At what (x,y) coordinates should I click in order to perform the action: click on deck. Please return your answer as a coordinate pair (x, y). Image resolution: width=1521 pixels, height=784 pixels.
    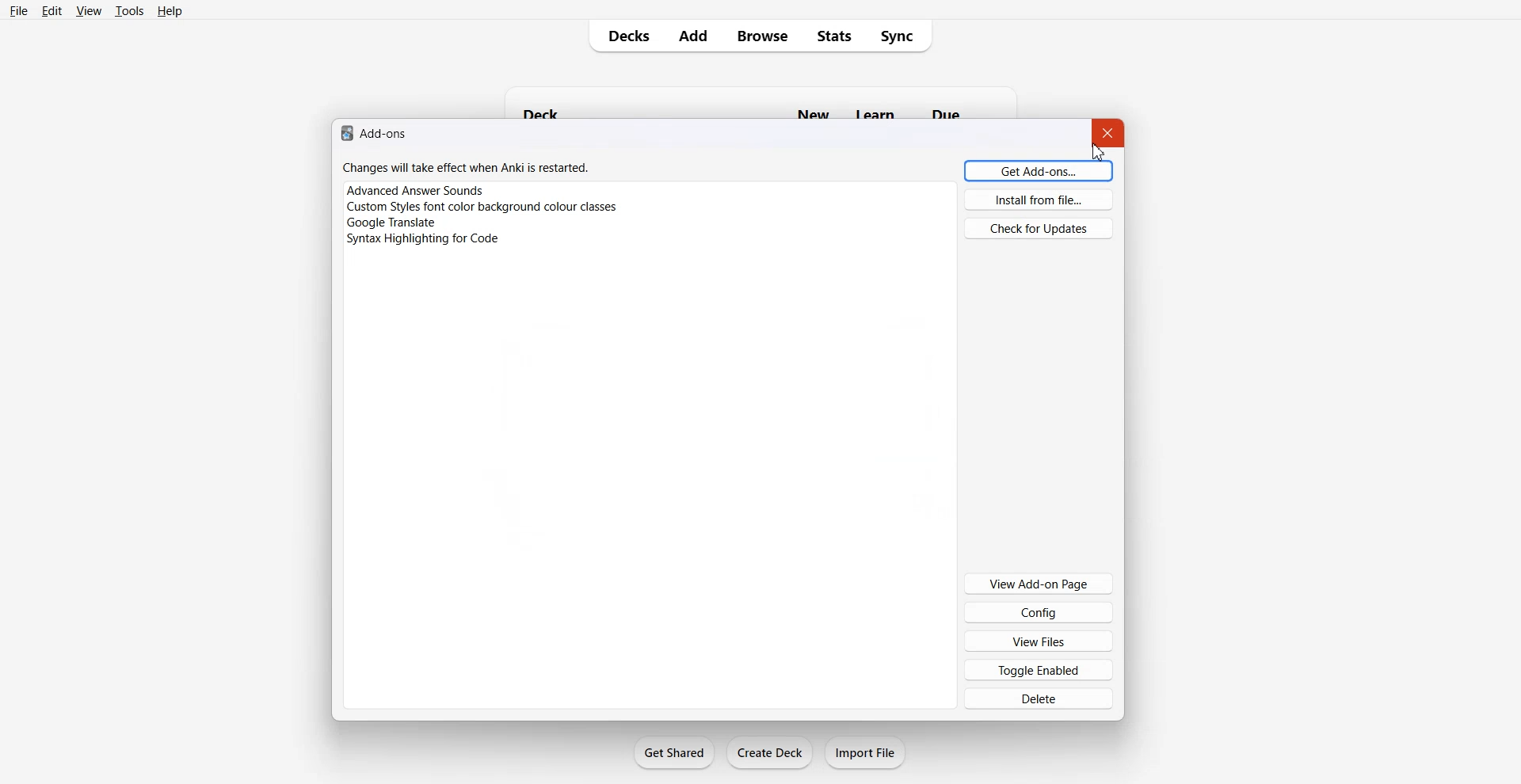
    Looking at the image, I should click on (546, 111).